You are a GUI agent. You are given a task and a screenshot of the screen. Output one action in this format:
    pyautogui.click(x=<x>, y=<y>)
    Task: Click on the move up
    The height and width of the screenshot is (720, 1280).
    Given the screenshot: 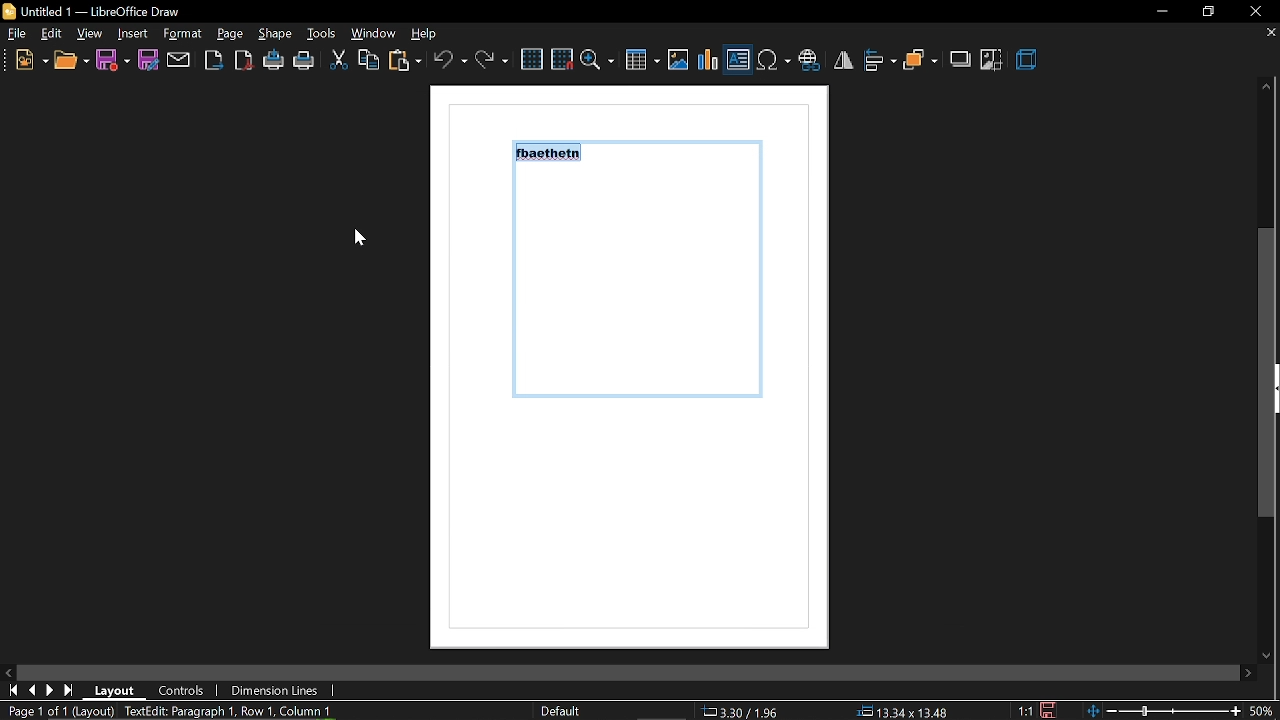 What is the action you would take?
    pyautogui.click(x=1267, y=88)
    